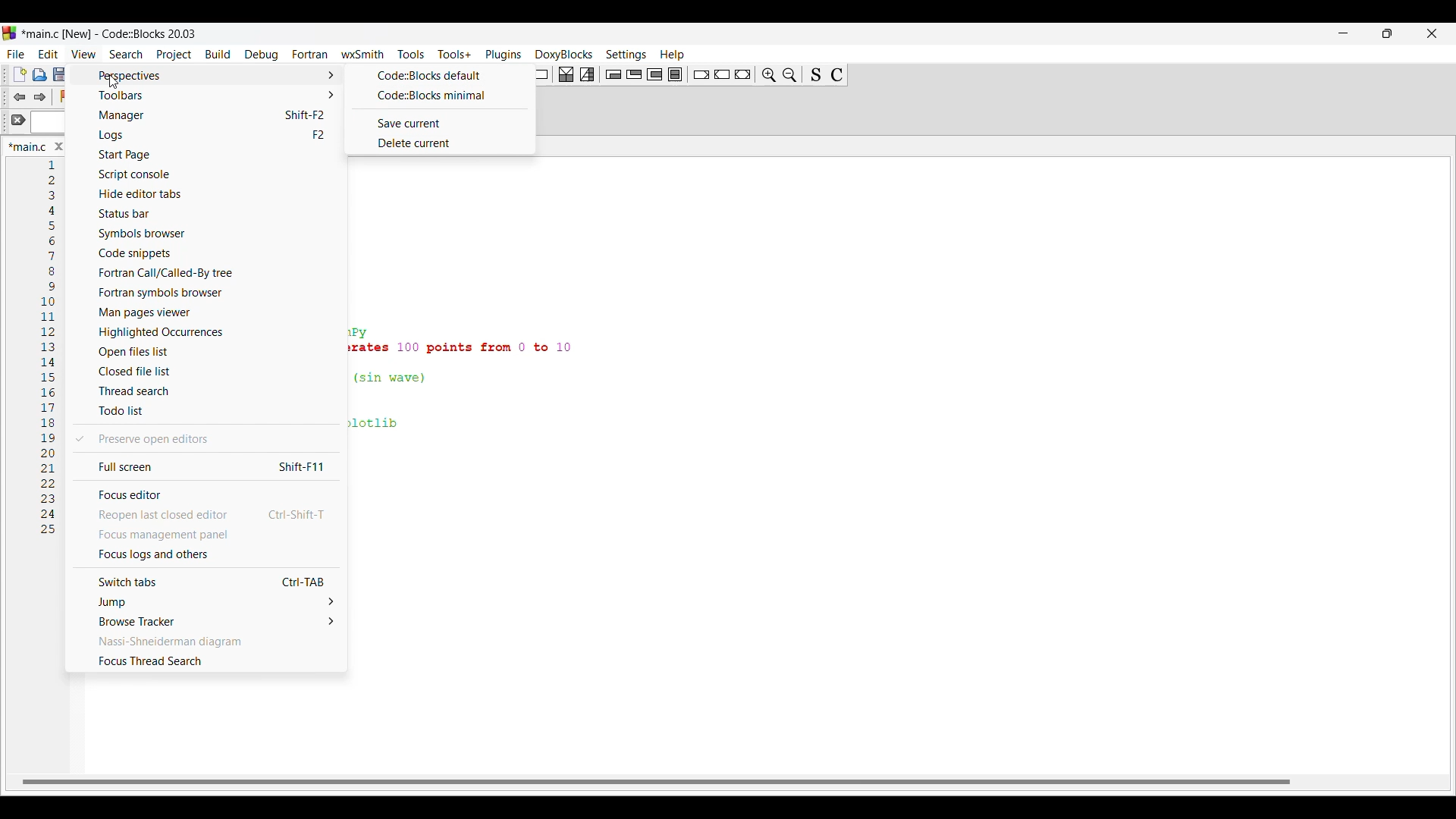 The height and width of the screenshot is (819, 1456). I want to click on Continue instruction, so click(722, 74).